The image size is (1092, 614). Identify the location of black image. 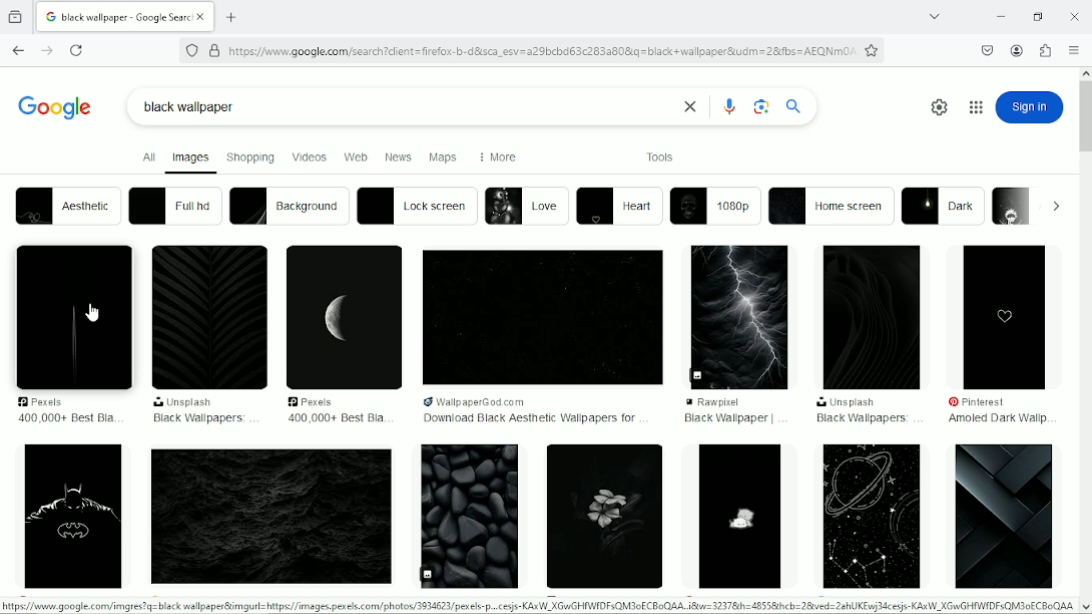
(71, 316).